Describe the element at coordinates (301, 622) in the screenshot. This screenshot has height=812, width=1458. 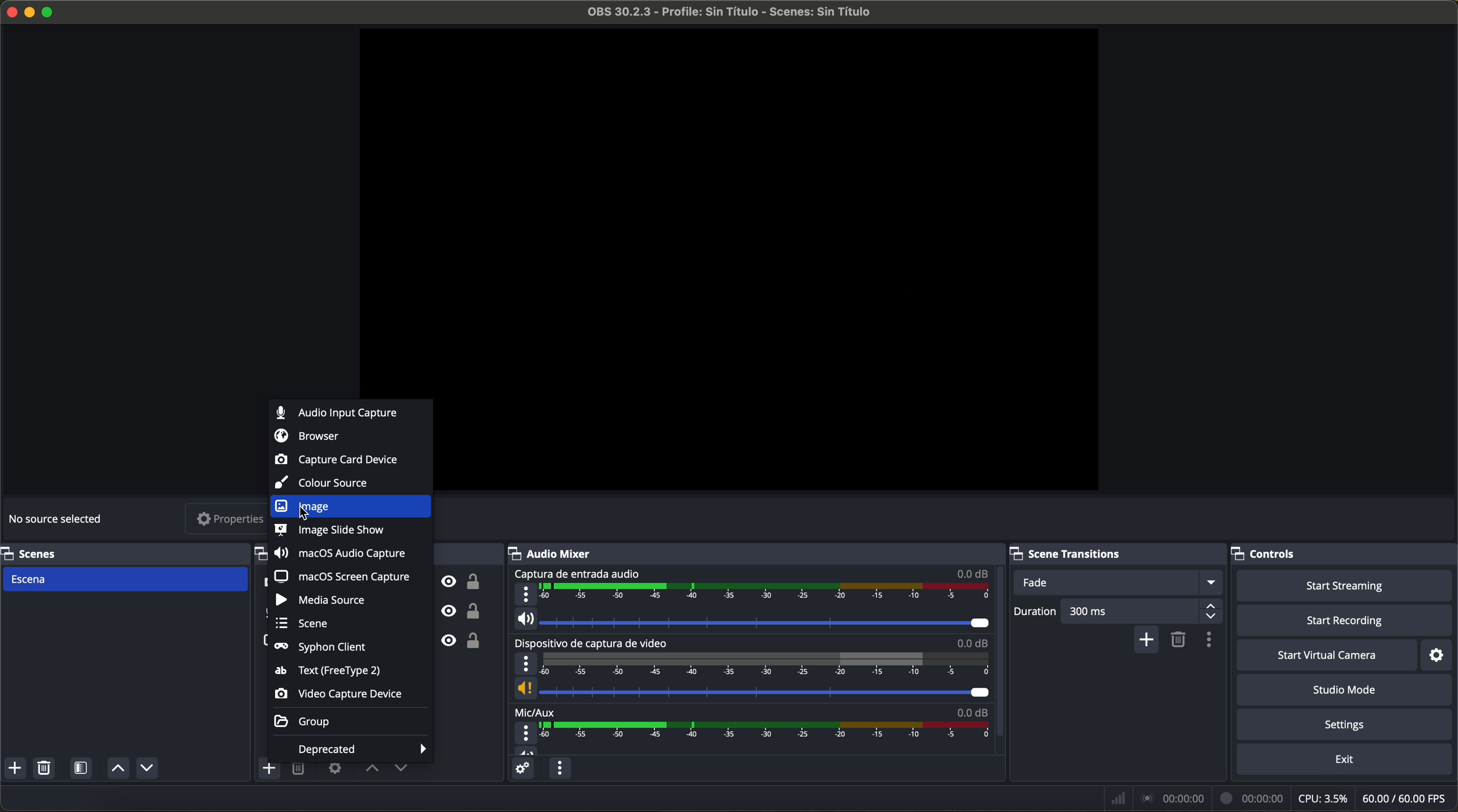
I see `scene` at that location.